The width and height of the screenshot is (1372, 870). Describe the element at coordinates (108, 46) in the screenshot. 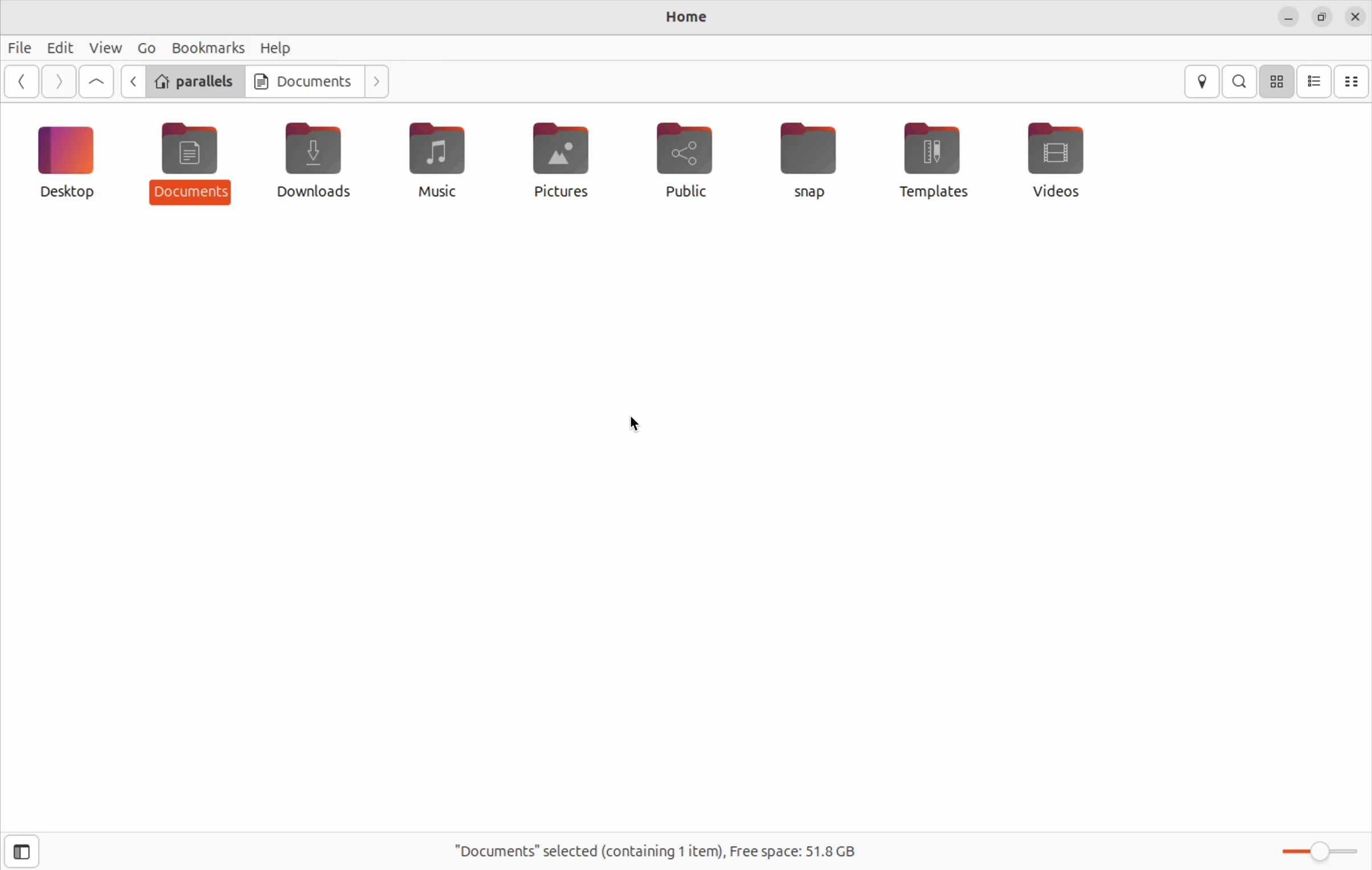

I see `View` at that location.